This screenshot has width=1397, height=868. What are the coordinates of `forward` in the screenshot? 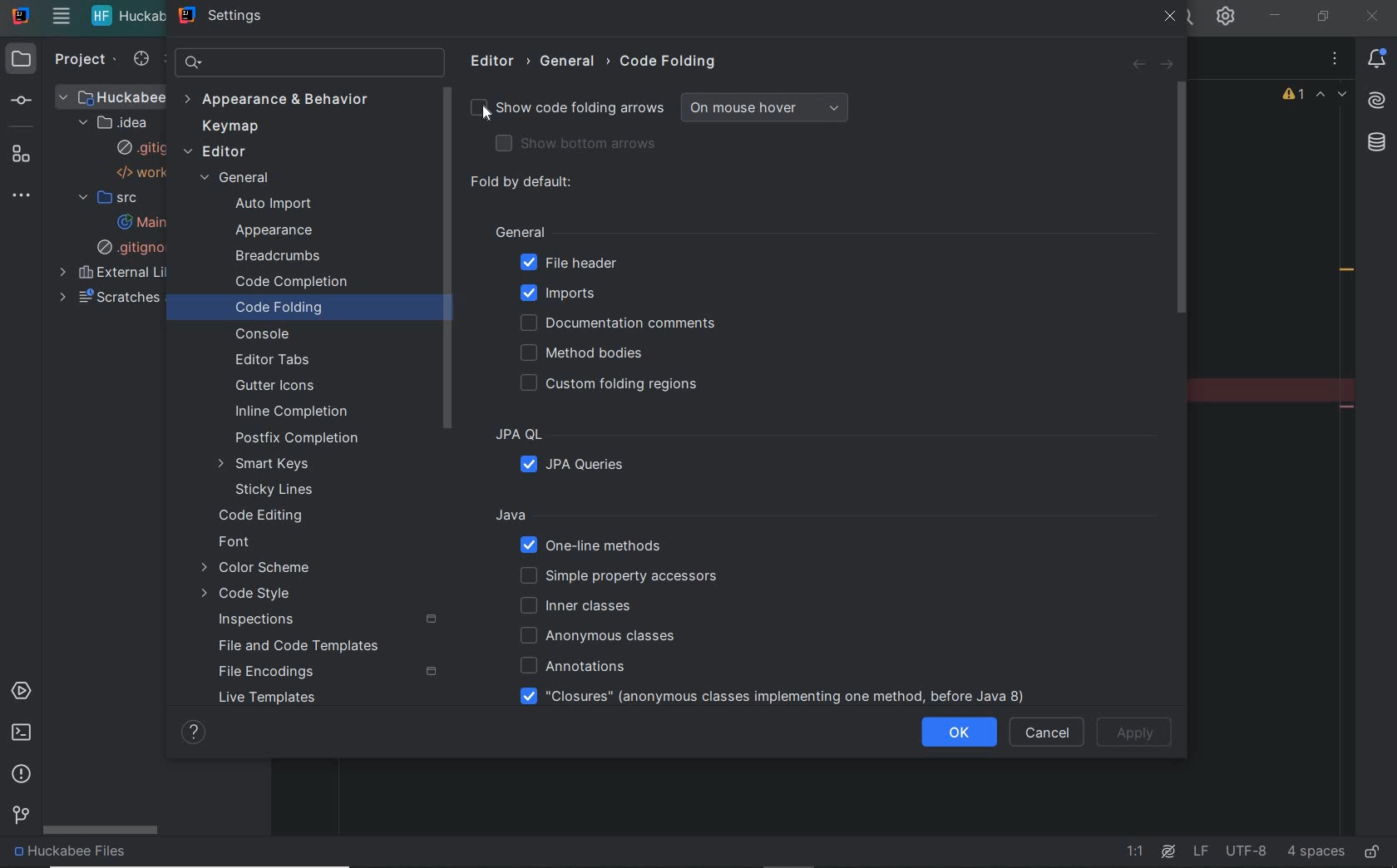 It's located at (1171, 63).